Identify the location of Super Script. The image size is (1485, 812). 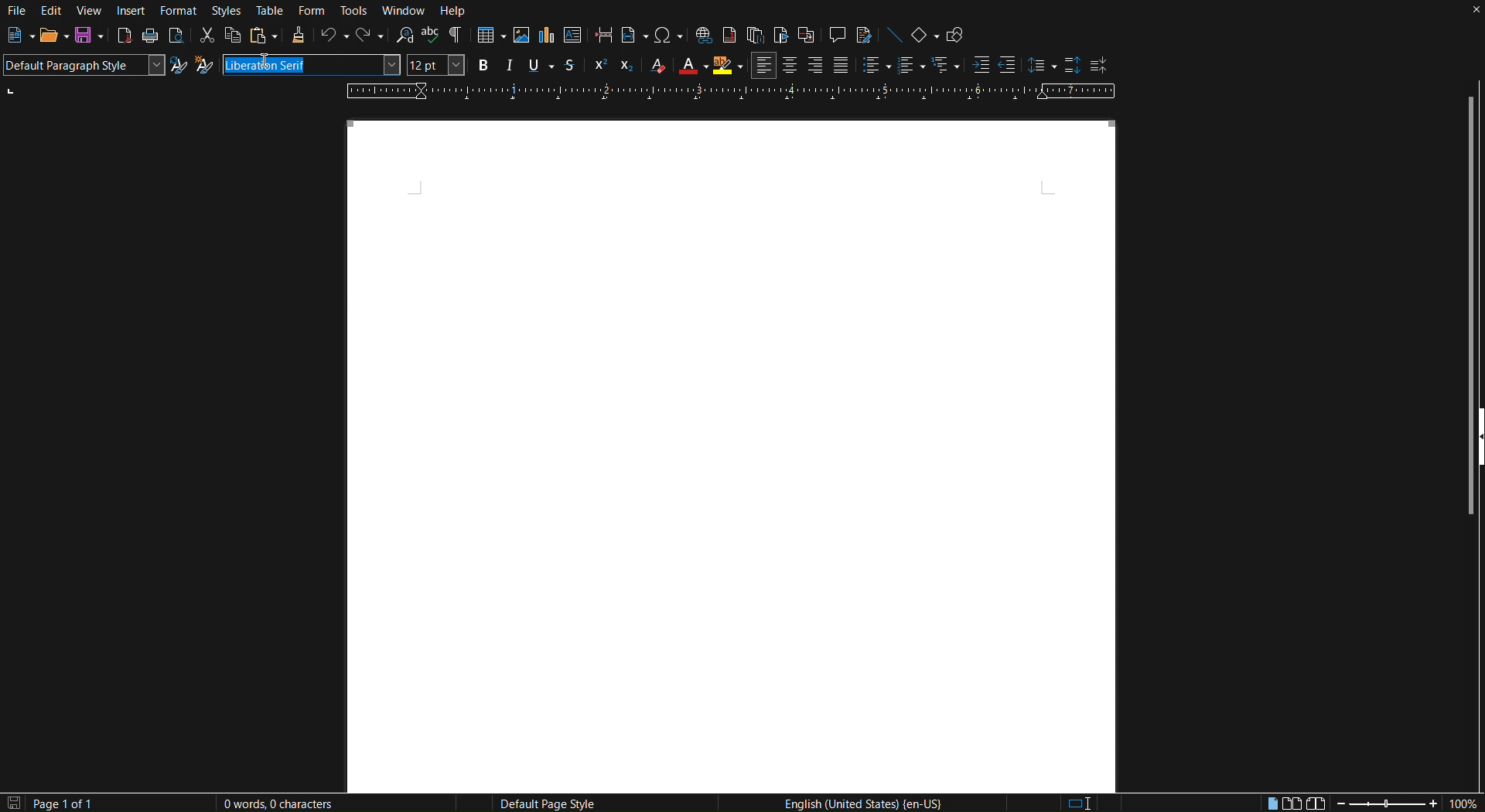
(599, 65).